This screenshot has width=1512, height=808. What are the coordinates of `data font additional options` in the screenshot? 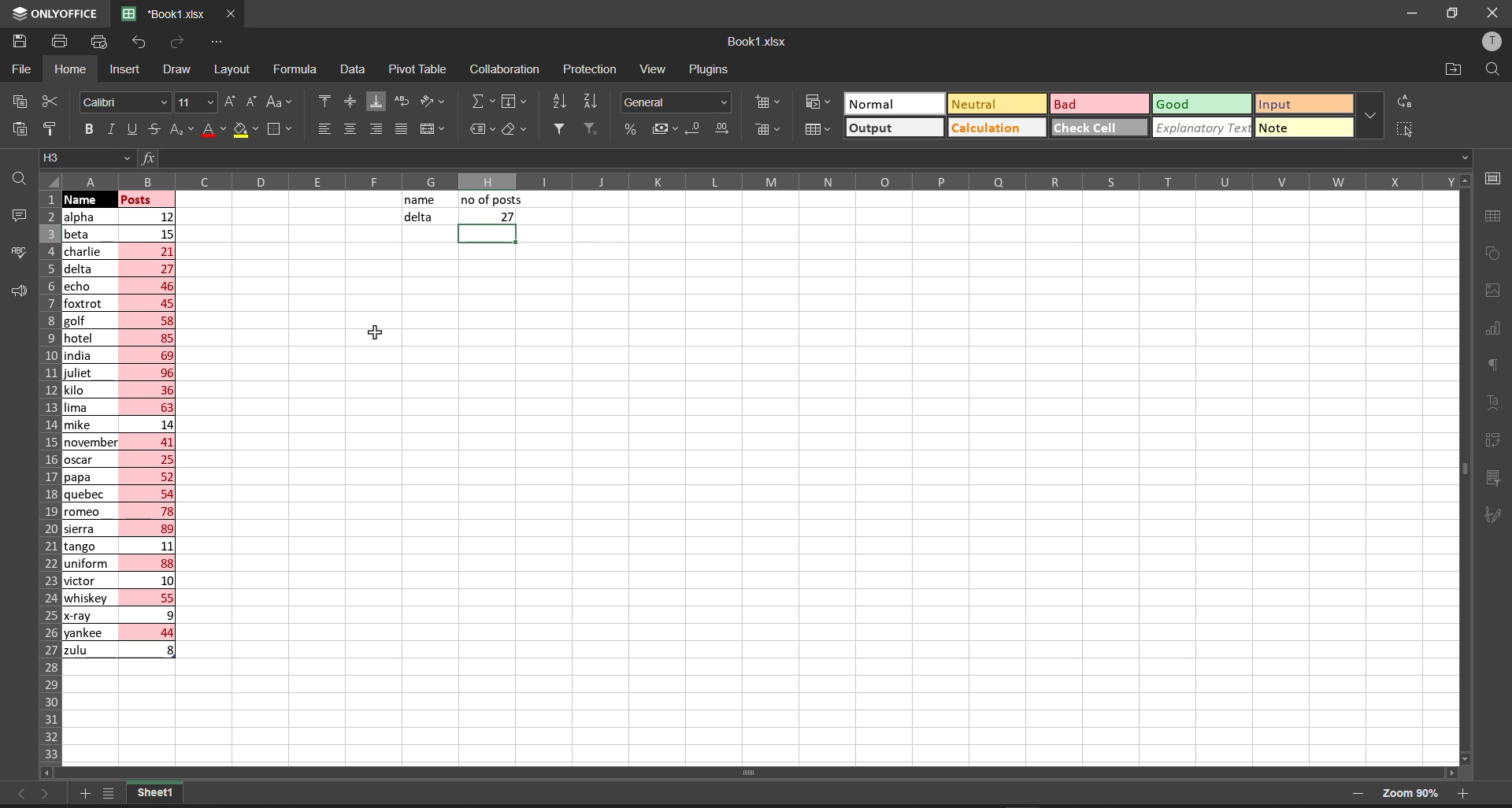 It's located at (1369, 112).